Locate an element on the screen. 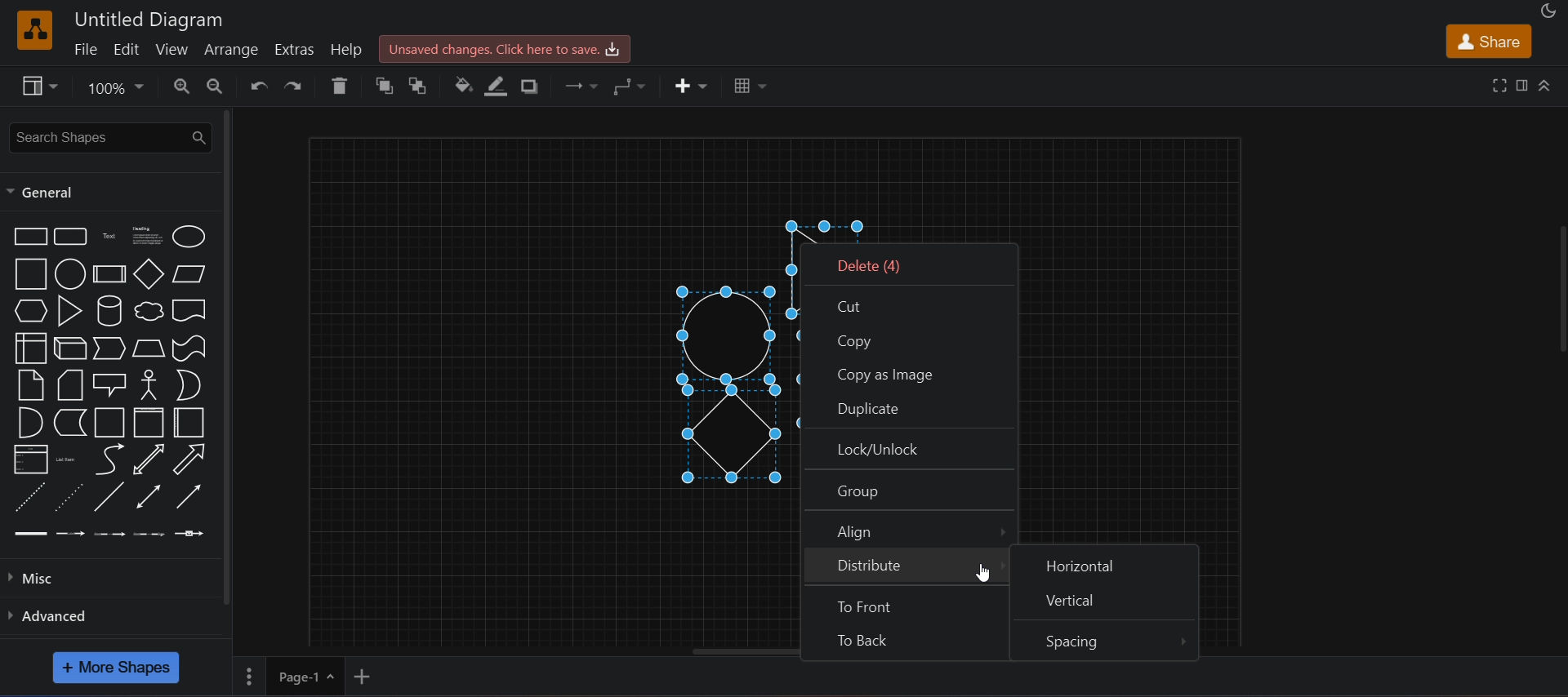 This screenshot has width=1568, height=697. unsaved changes. click here to save is located at coordinates (502, 48).